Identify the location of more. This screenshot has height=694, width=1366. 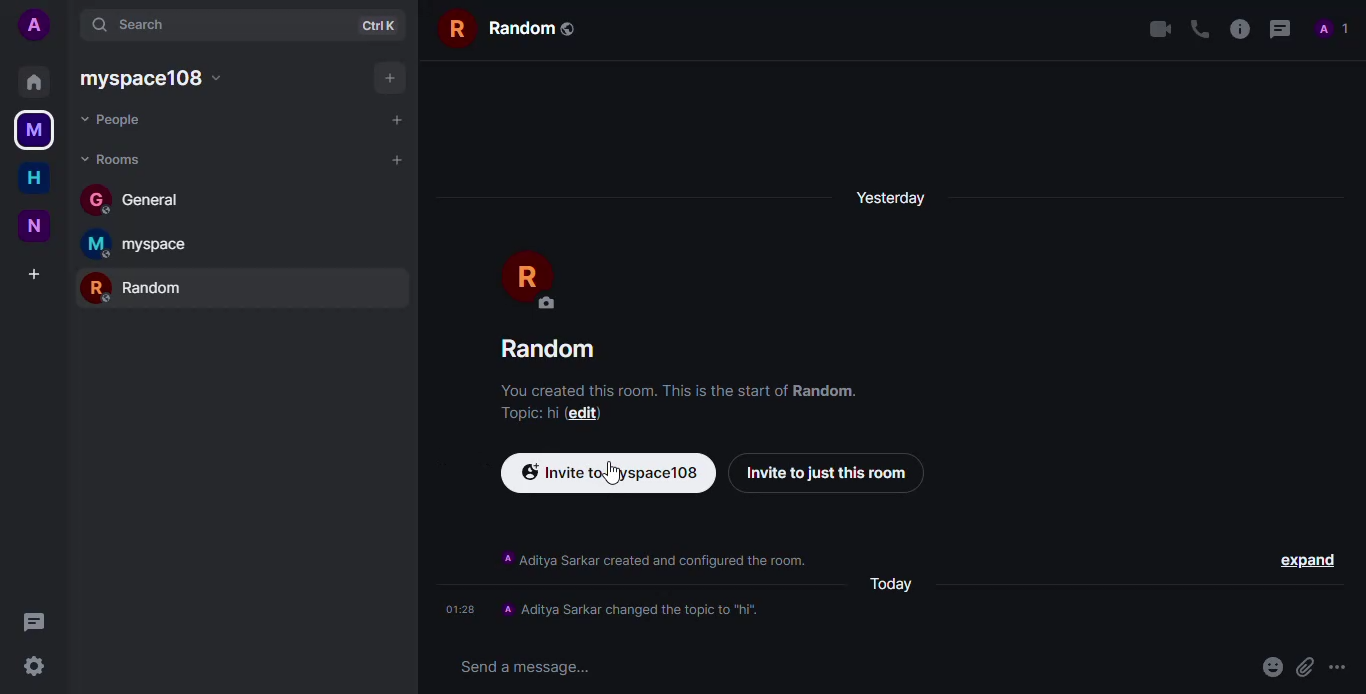
(1341, 668).